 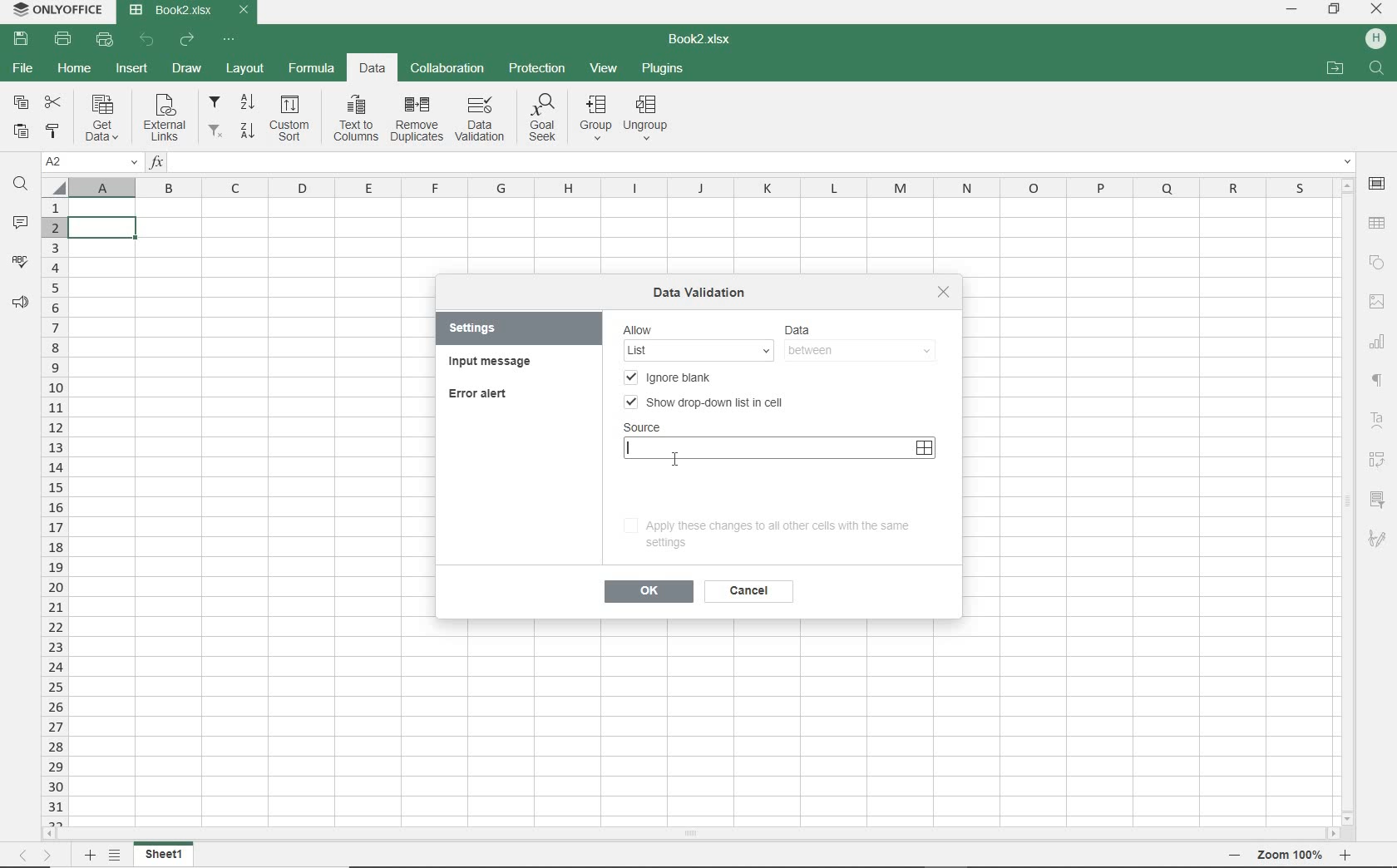 I want to click on group, so click(x=595, y=116).